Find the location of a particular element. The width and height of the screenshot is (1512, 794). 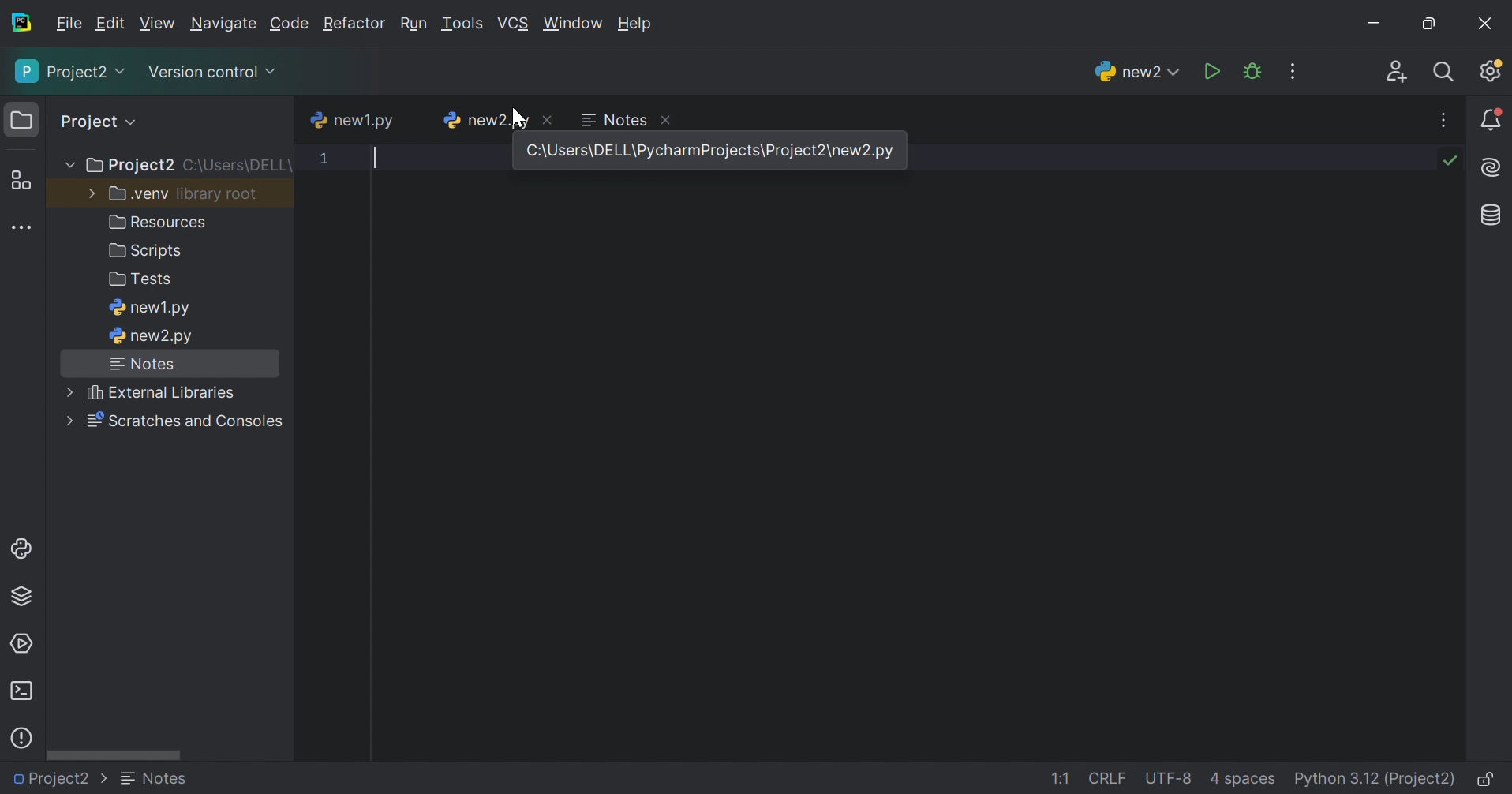

No problems is located at coordinates (1454, 160).